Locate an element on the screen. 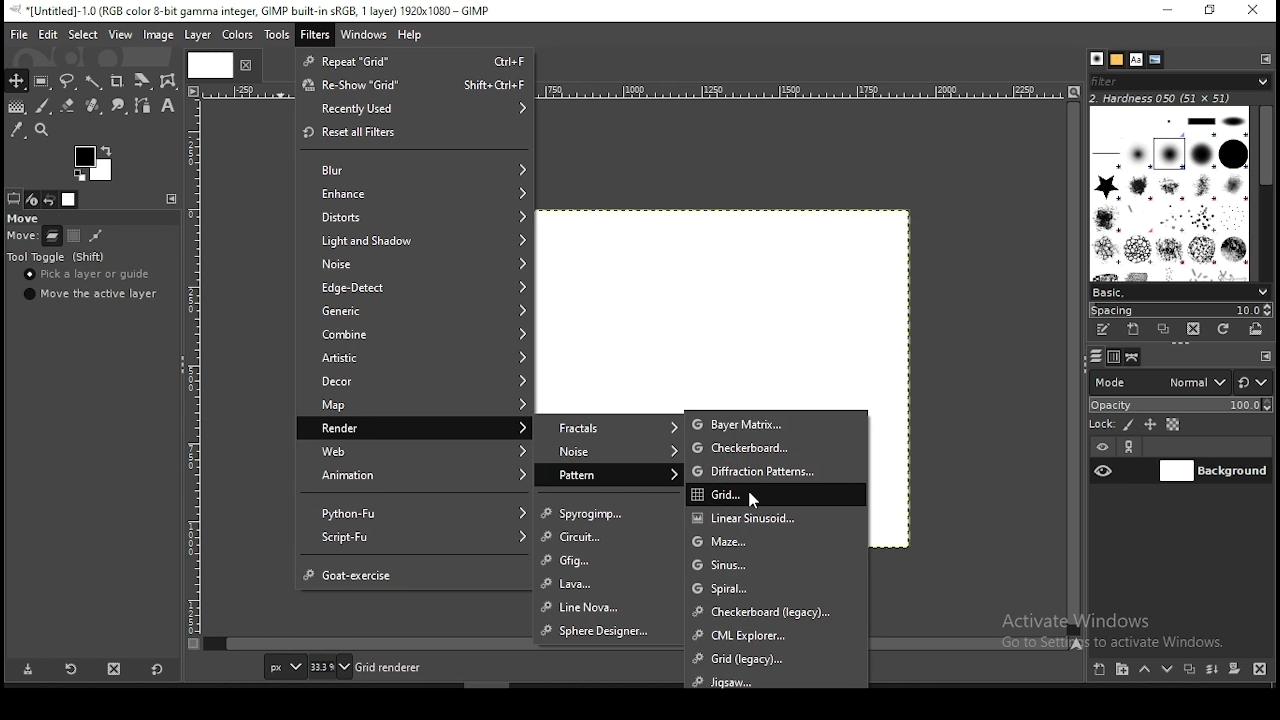 The image size is (1280, 720). windows is located at coordinates (364, 36).